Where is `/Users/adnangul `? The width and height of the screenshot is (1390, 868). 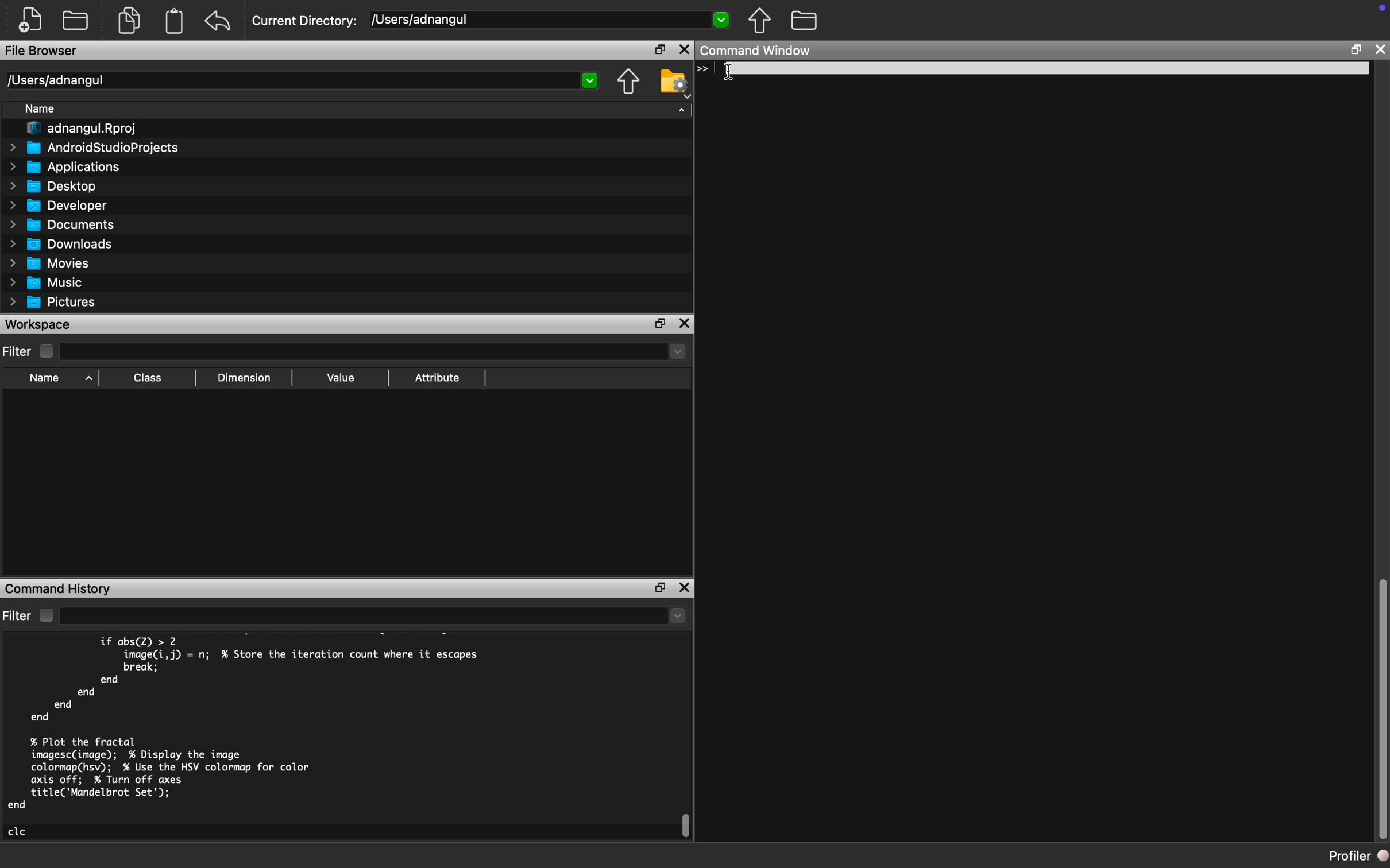 /Users/adnangul  is located at coordinates (300, 81).